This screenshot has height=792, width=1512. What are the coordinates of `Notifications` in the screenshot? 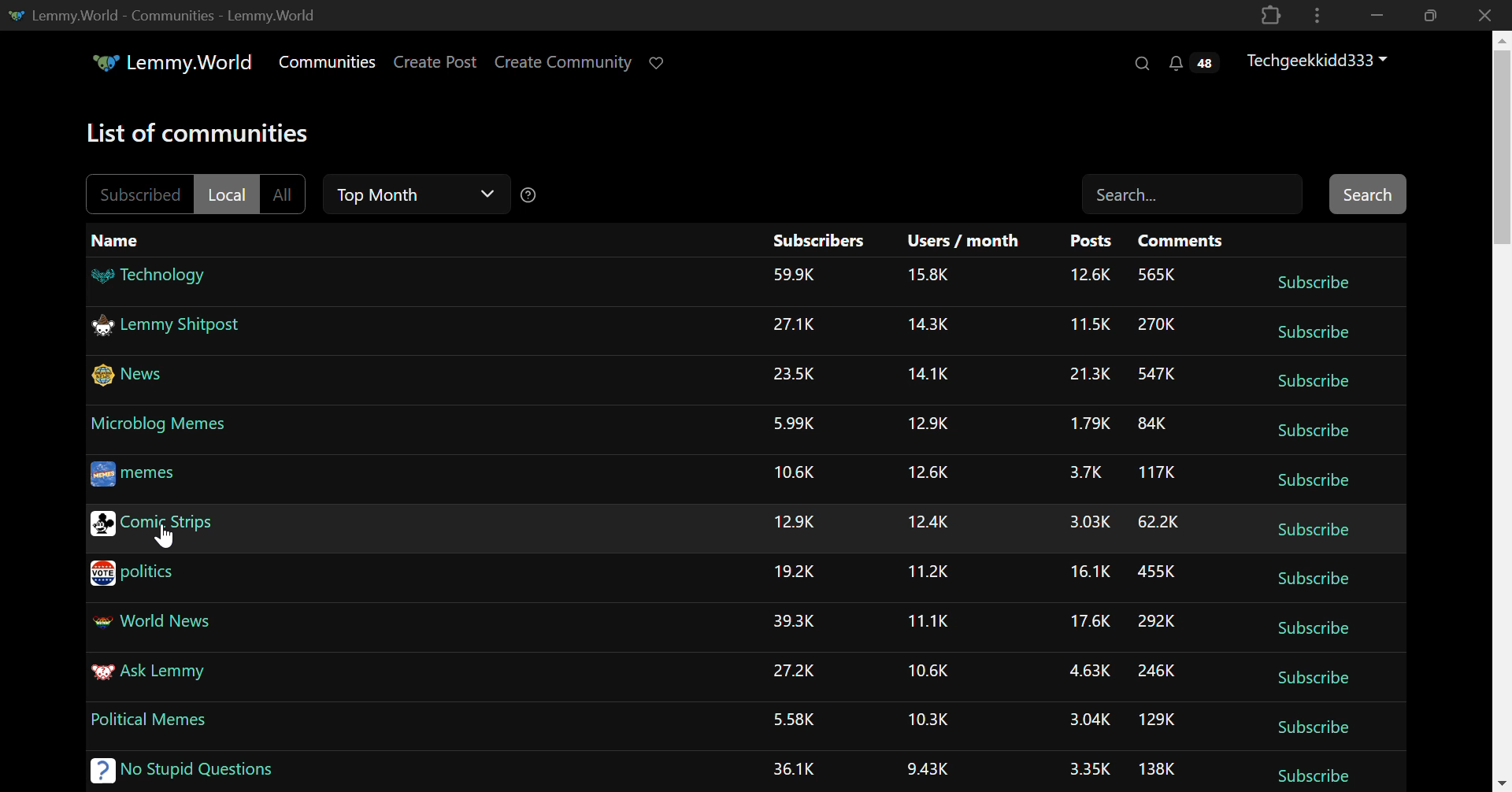 It's located at (1191, 65).